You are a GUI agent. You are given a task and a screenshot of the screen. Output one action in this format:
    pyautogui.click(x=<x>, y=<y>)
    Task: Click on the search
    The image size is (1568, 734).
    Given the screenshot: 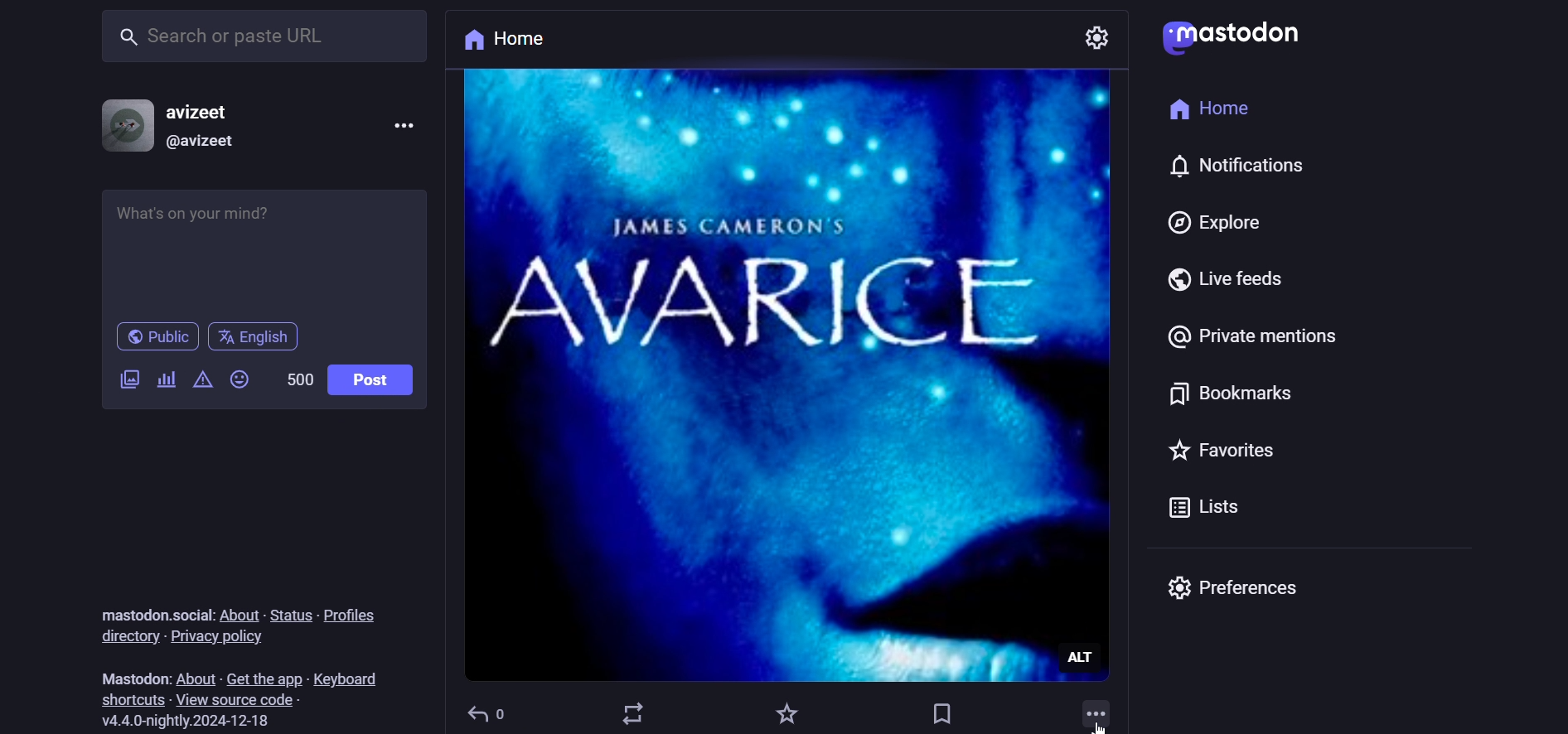 What is the action you would take?
    pyautogui.click(x=259, y=41)
    